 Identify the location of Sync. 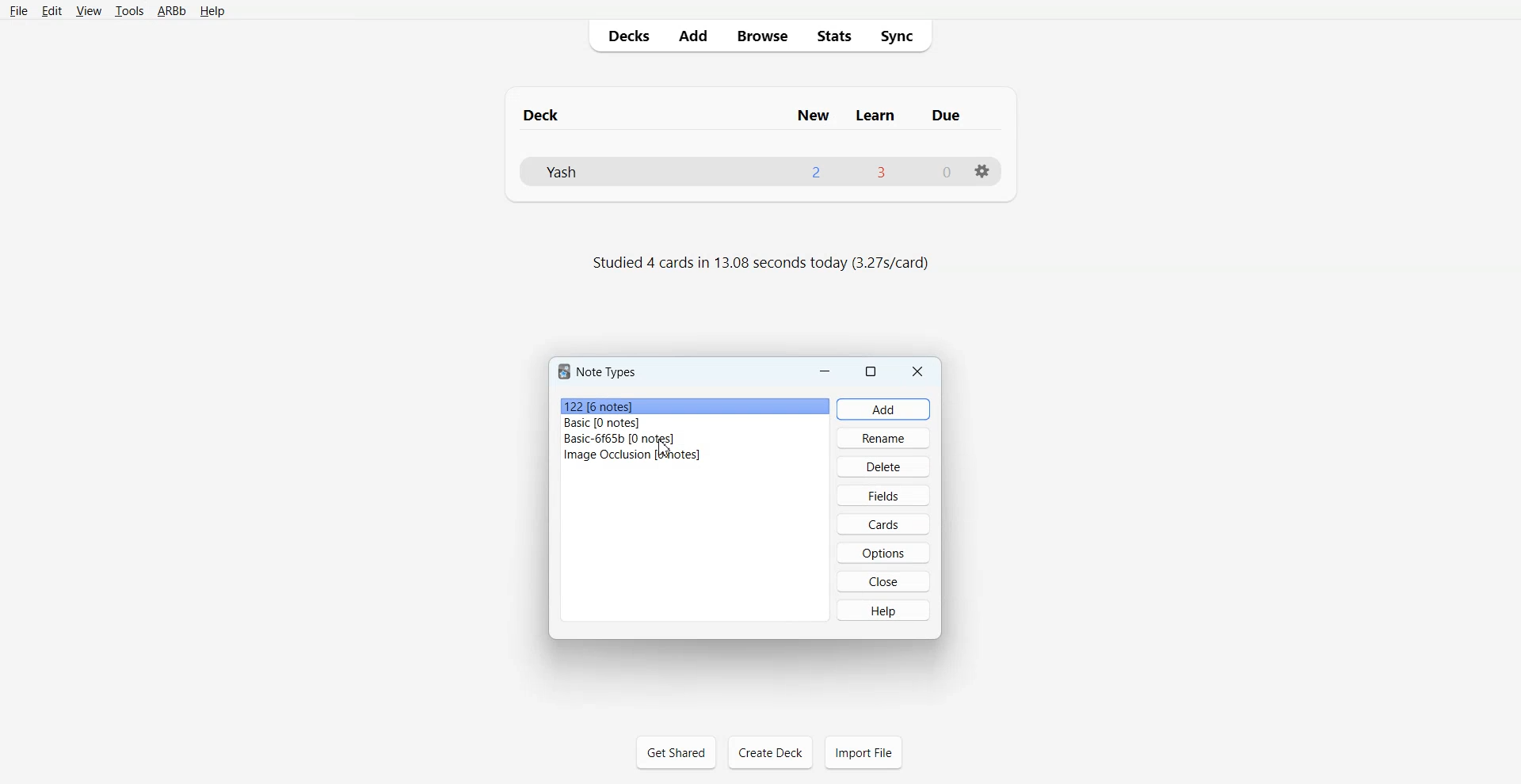
(902, 36).